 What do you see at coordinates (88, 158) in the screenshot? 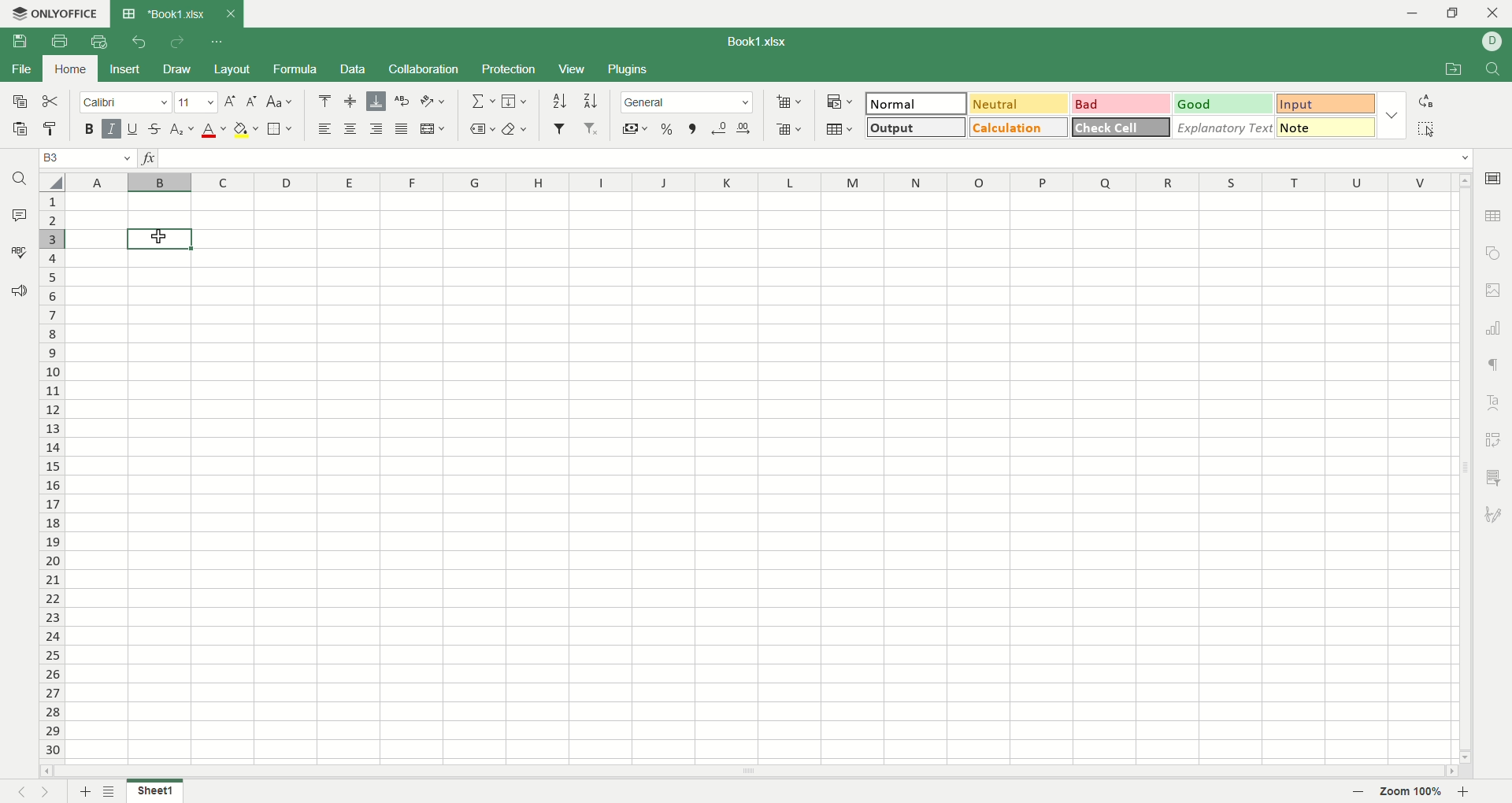
I see `cell name` at bounding box center [88, 158].